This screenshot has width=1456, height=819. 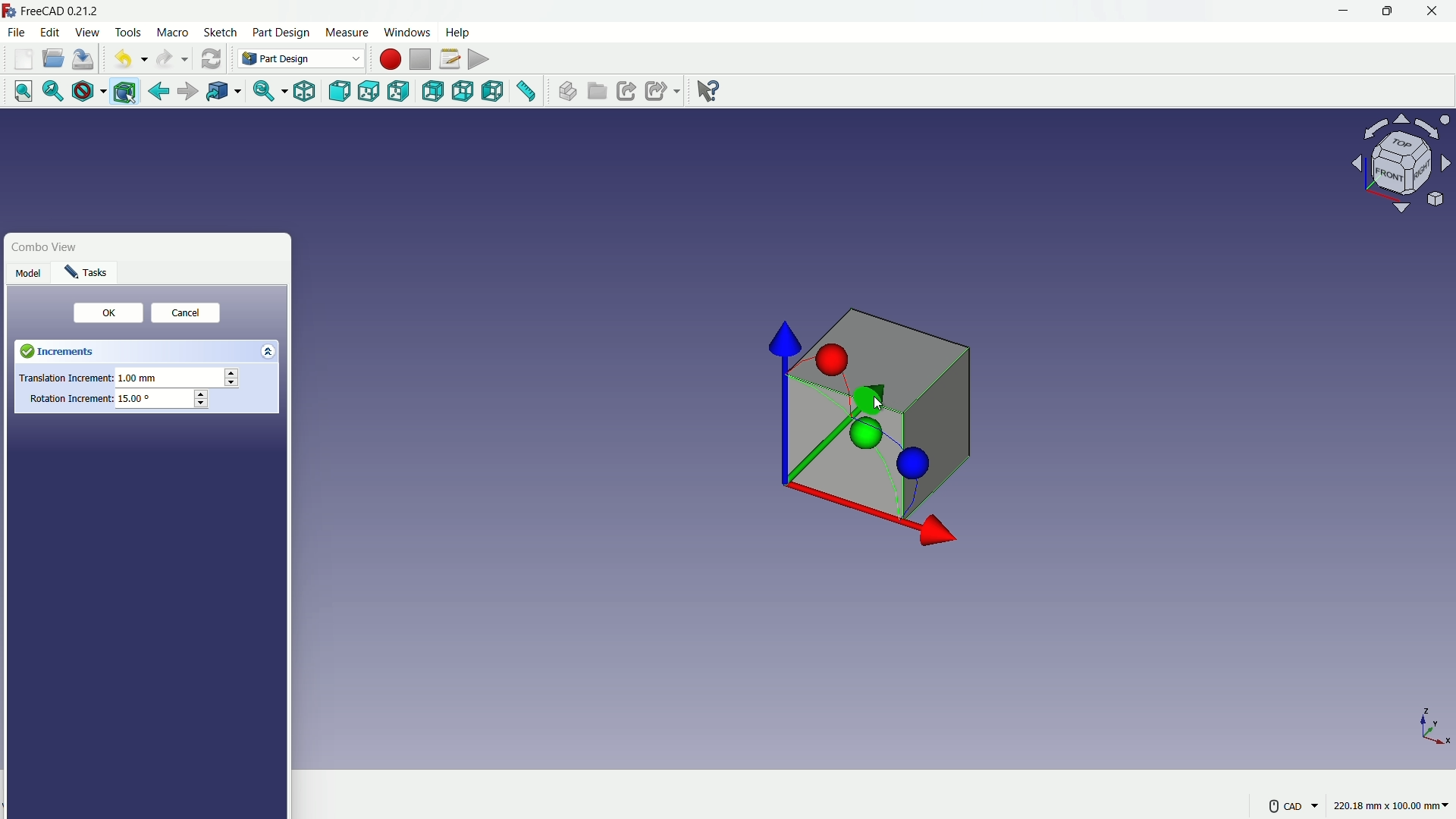 I want to click on create group, so click(x=598, y=93).